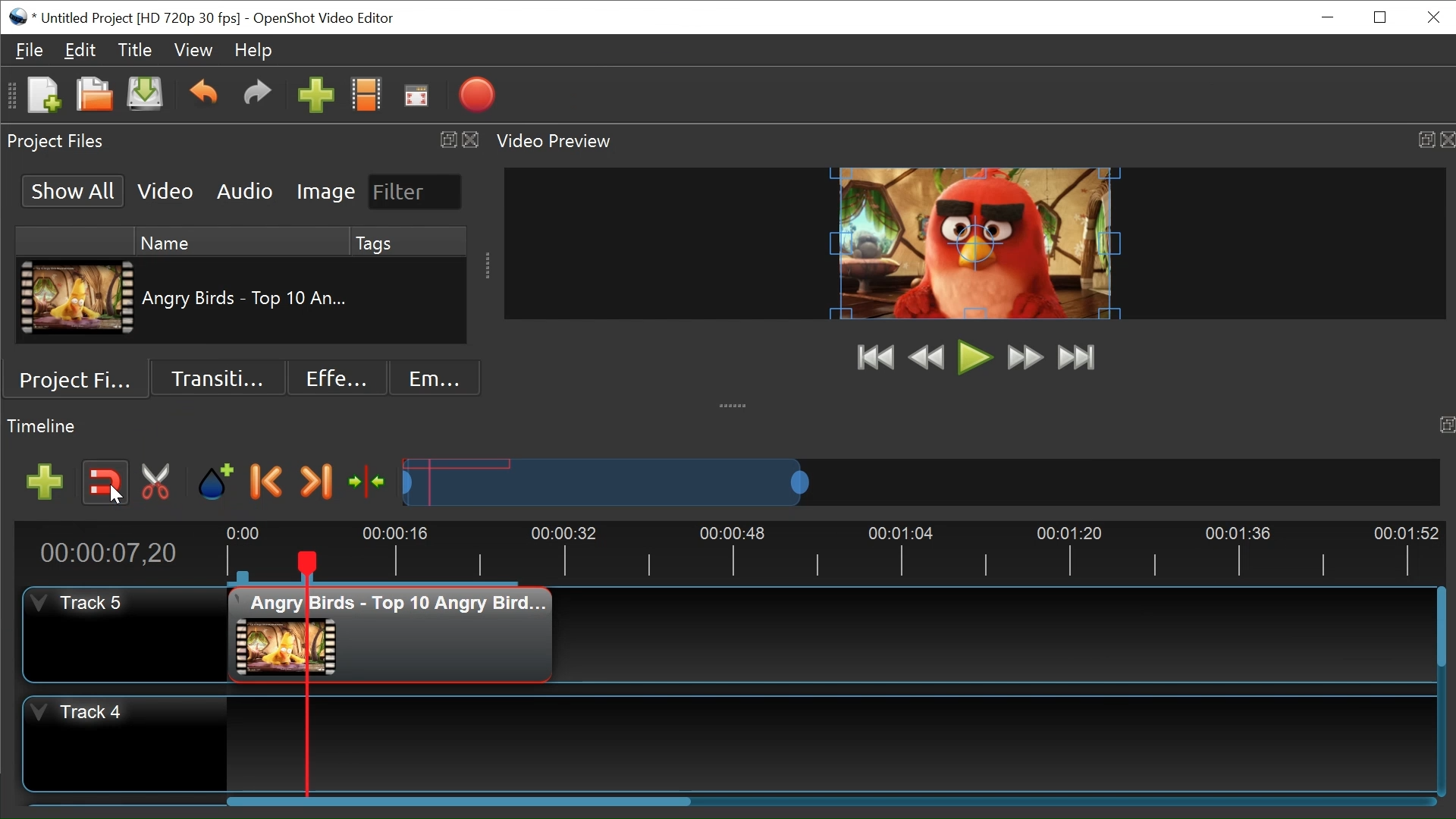 The width and height of the screenshot is (1456, 819). What do you see at coordinates (389, 636) in the screenshot?
I see `Clip at Timeline` at bounding box center [389, 636].